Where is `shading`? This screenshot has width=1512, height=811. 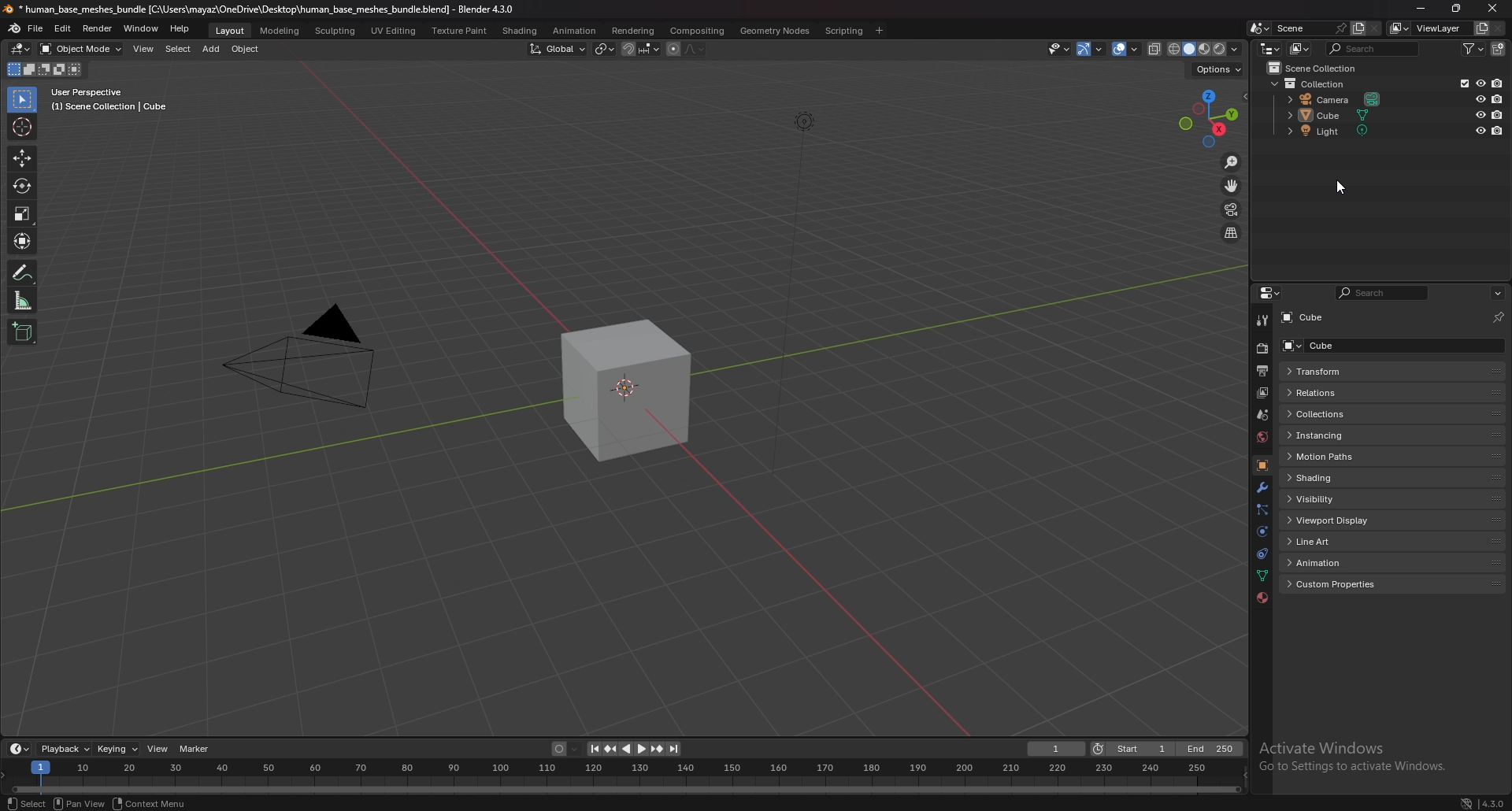
shading is located at coordinates (1343, 477).